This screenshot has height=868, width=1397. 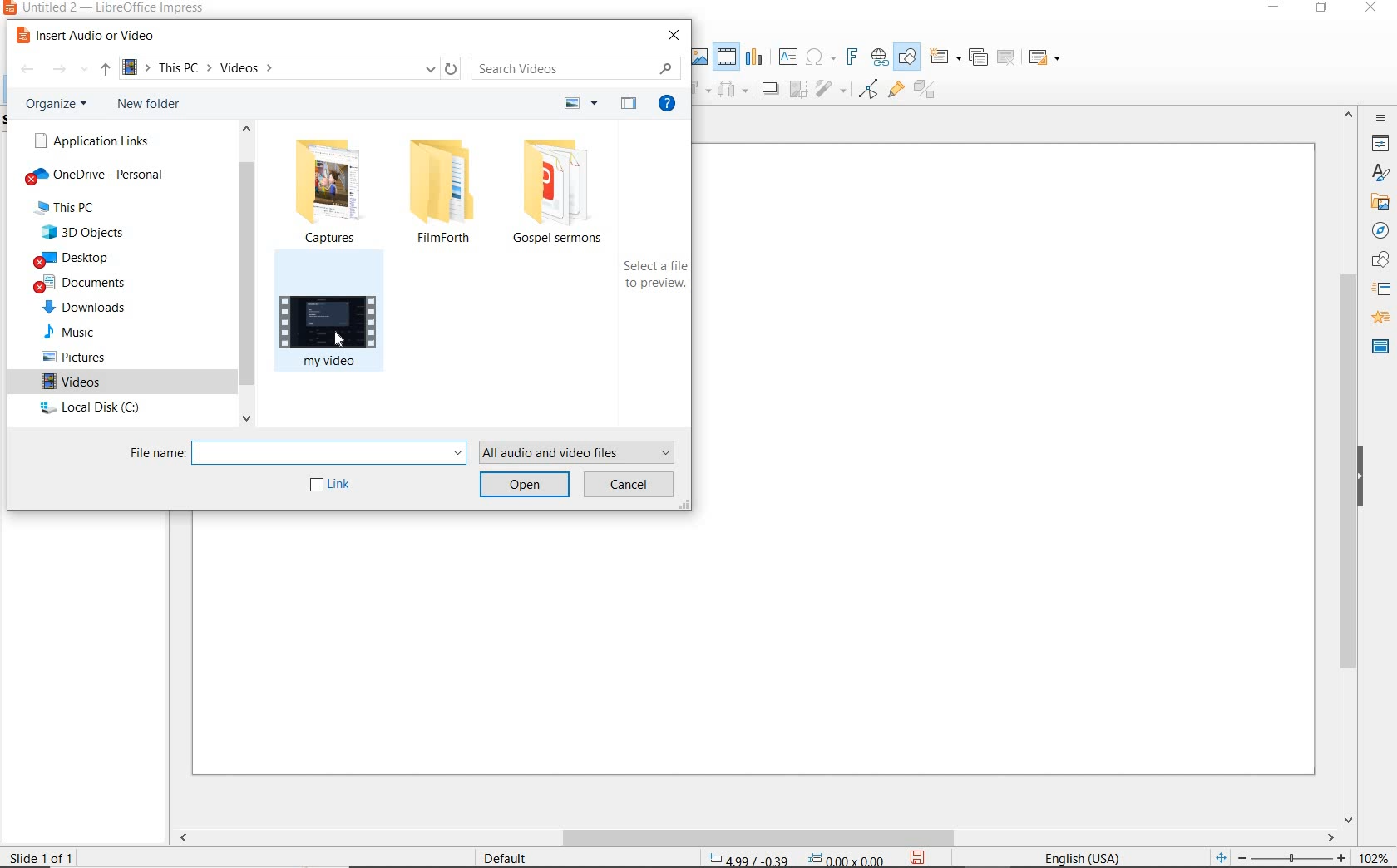 I want to click on 3d objects, so click(x=87, y=234).